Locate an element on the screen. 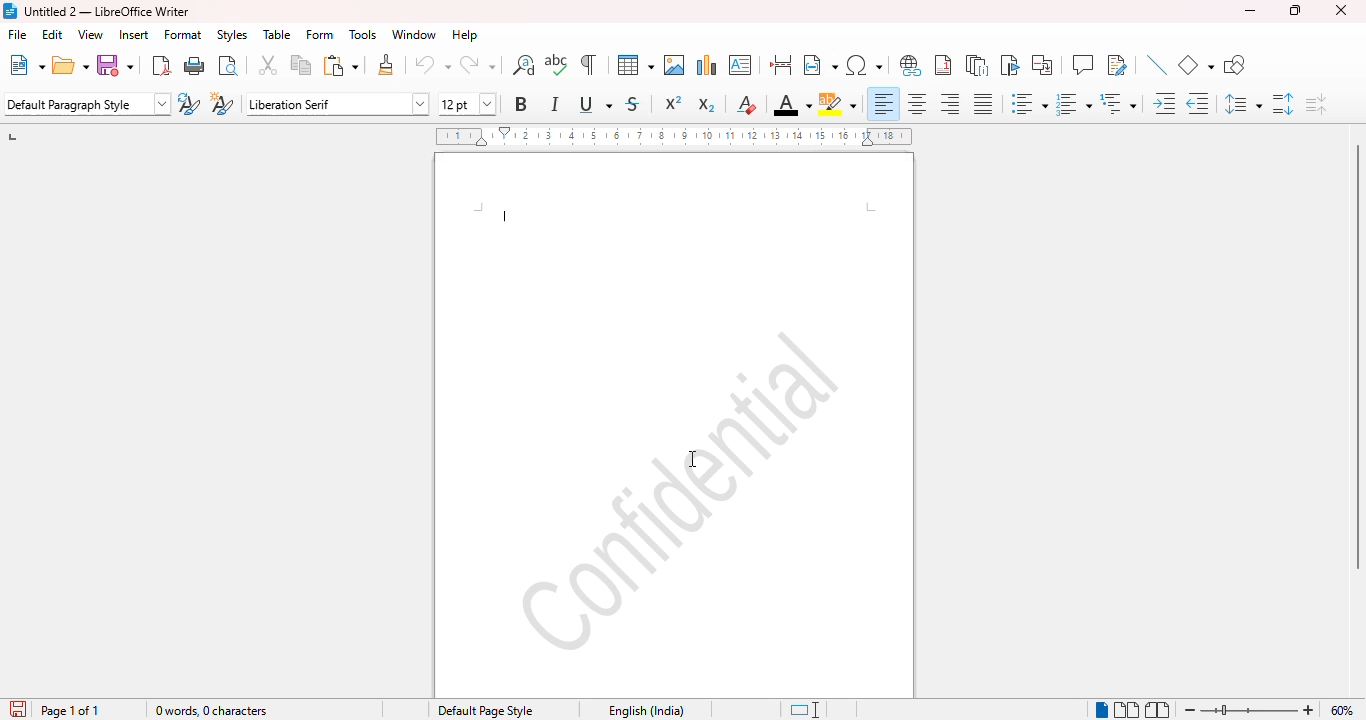 The width and height of the screenshot is (1366, 720). cut is located at coordinates (267, 64).